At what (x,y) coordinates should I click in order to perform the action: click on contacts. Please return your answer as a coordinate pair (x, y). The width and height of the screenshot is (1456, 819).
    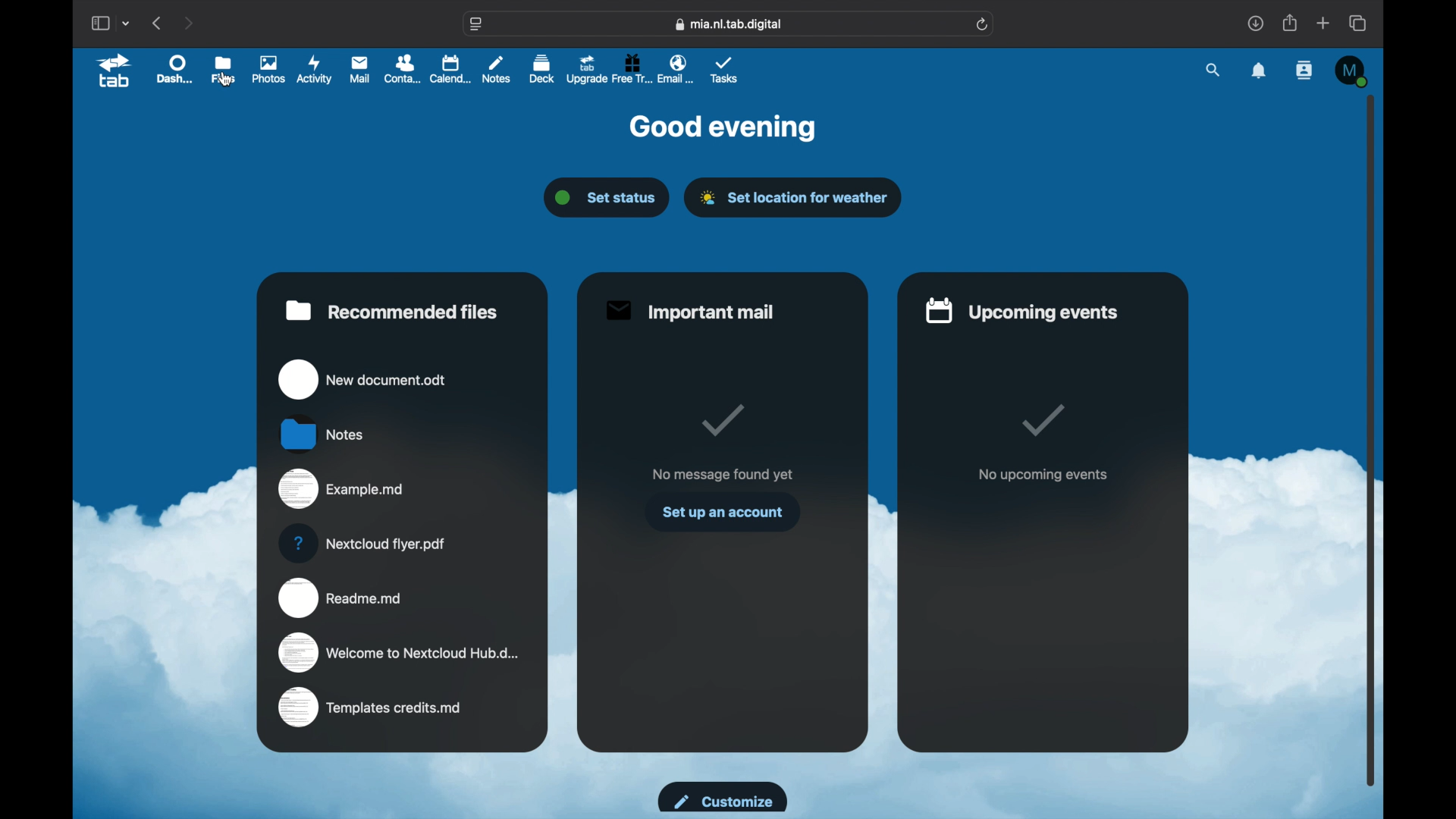
    Looking at the image, I should click on (402, 68).